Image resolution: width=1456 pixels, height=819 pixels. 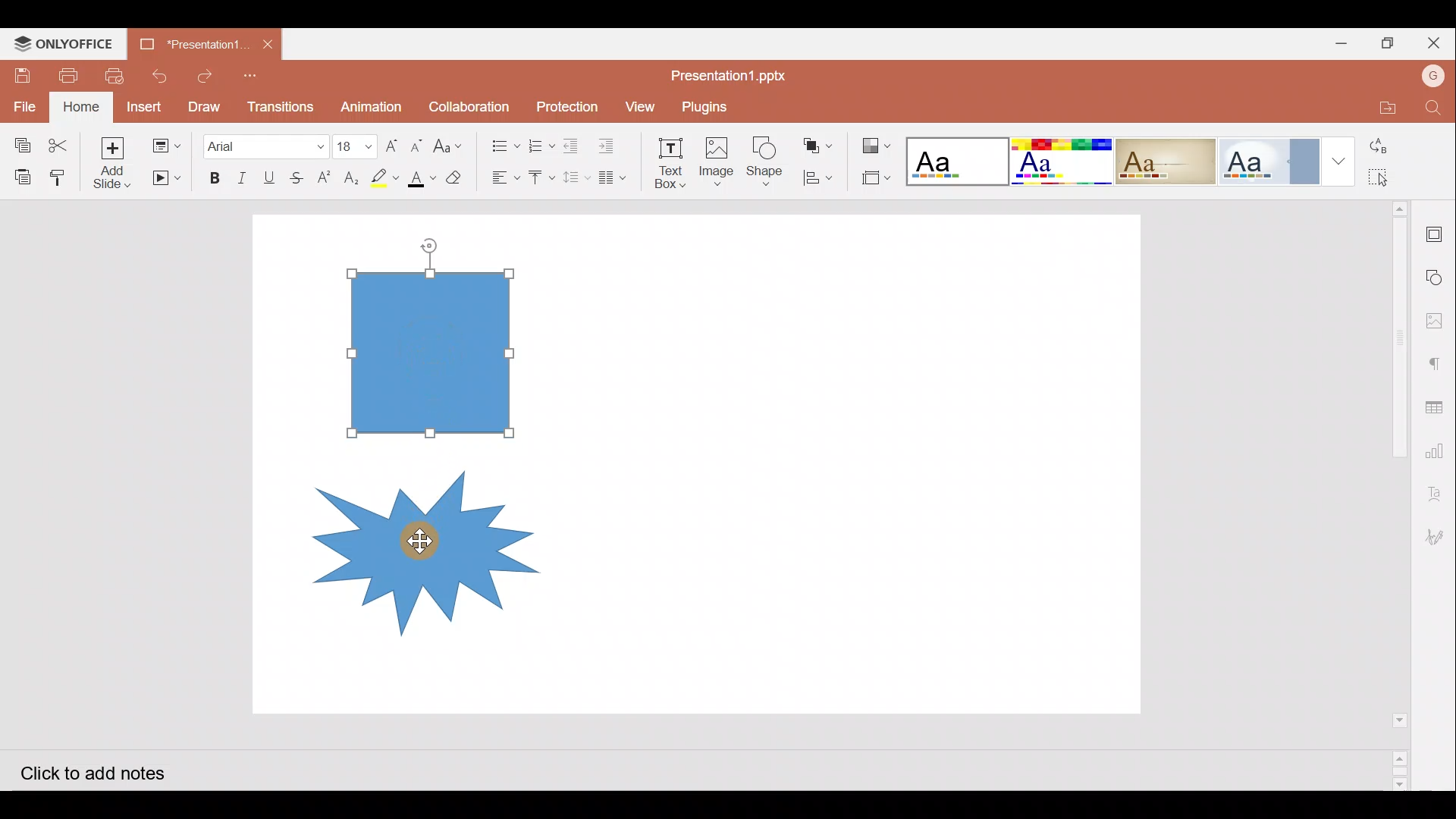 I want to click on Increase indent, so click(x=611, y=142).